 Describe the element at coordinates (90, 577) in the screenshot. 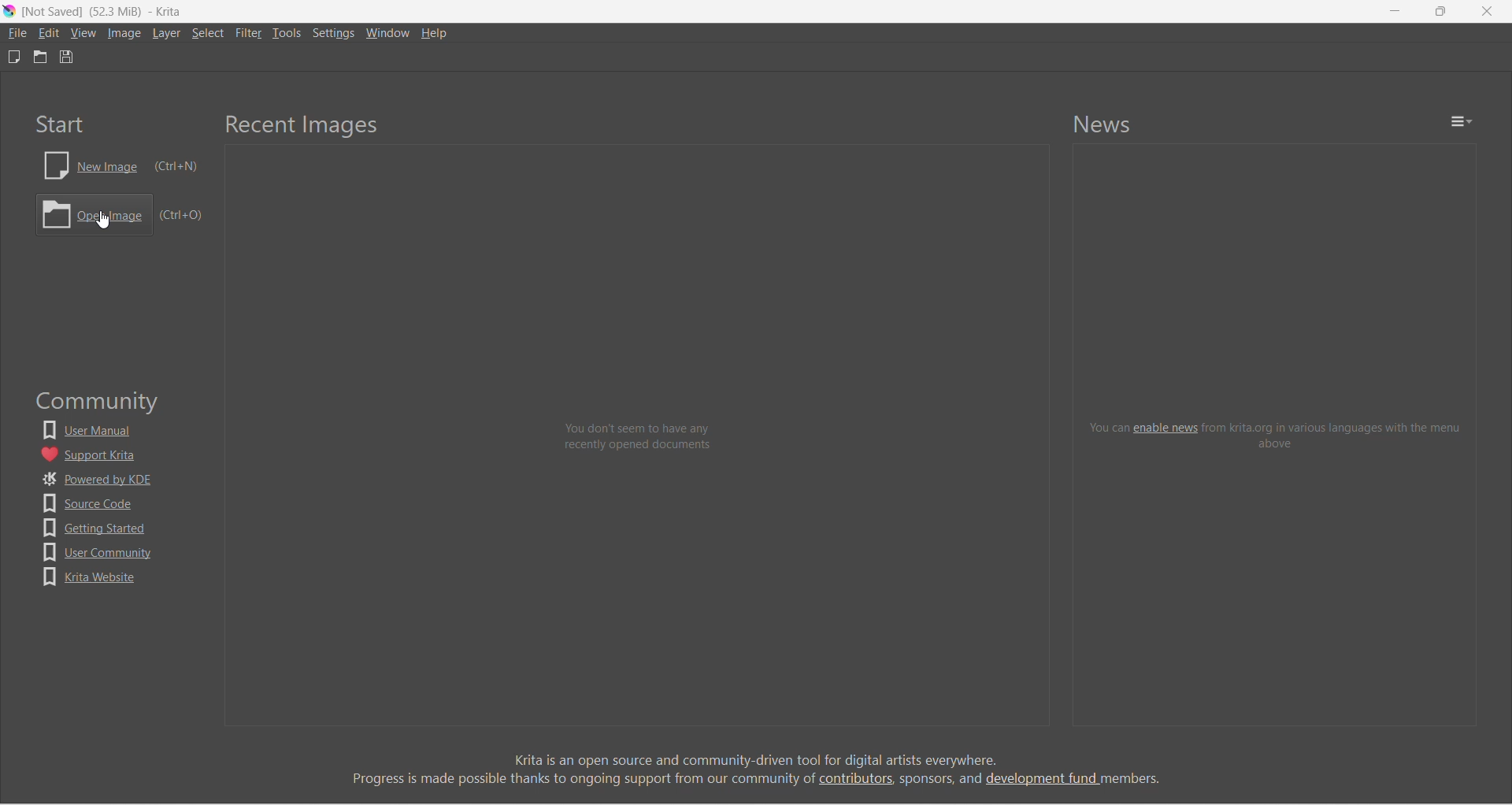

I see `krita website` at that location.